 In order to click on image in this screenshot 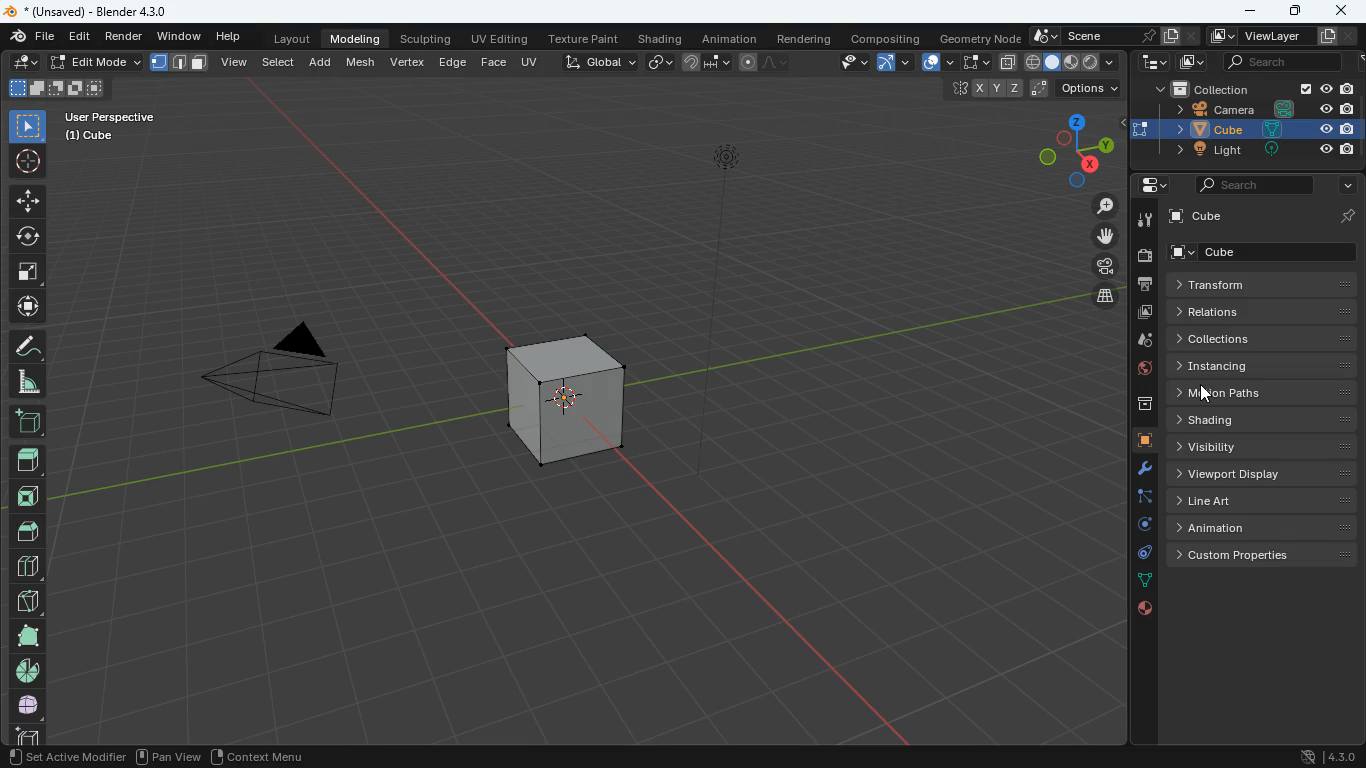, I will do `click(1187, 63)`.